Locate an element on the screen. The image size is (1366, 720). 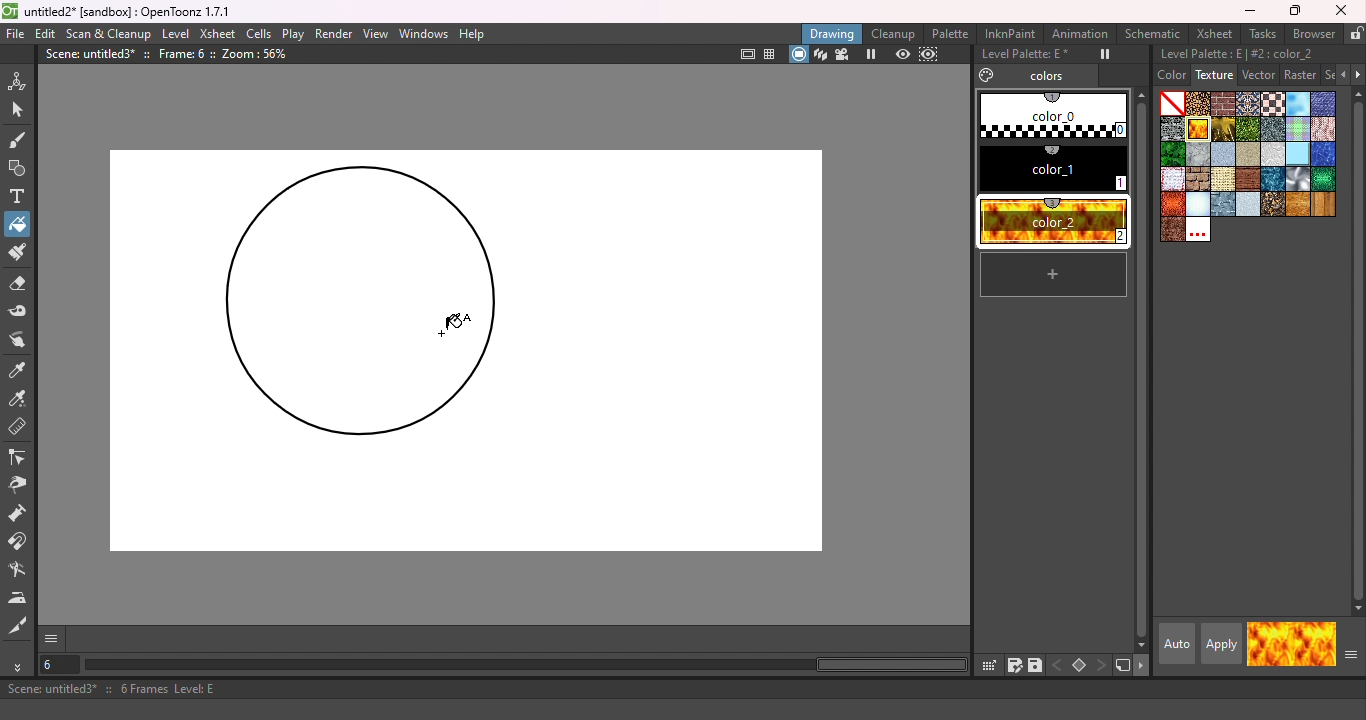
Safe area is located at coordinates (748, 55).